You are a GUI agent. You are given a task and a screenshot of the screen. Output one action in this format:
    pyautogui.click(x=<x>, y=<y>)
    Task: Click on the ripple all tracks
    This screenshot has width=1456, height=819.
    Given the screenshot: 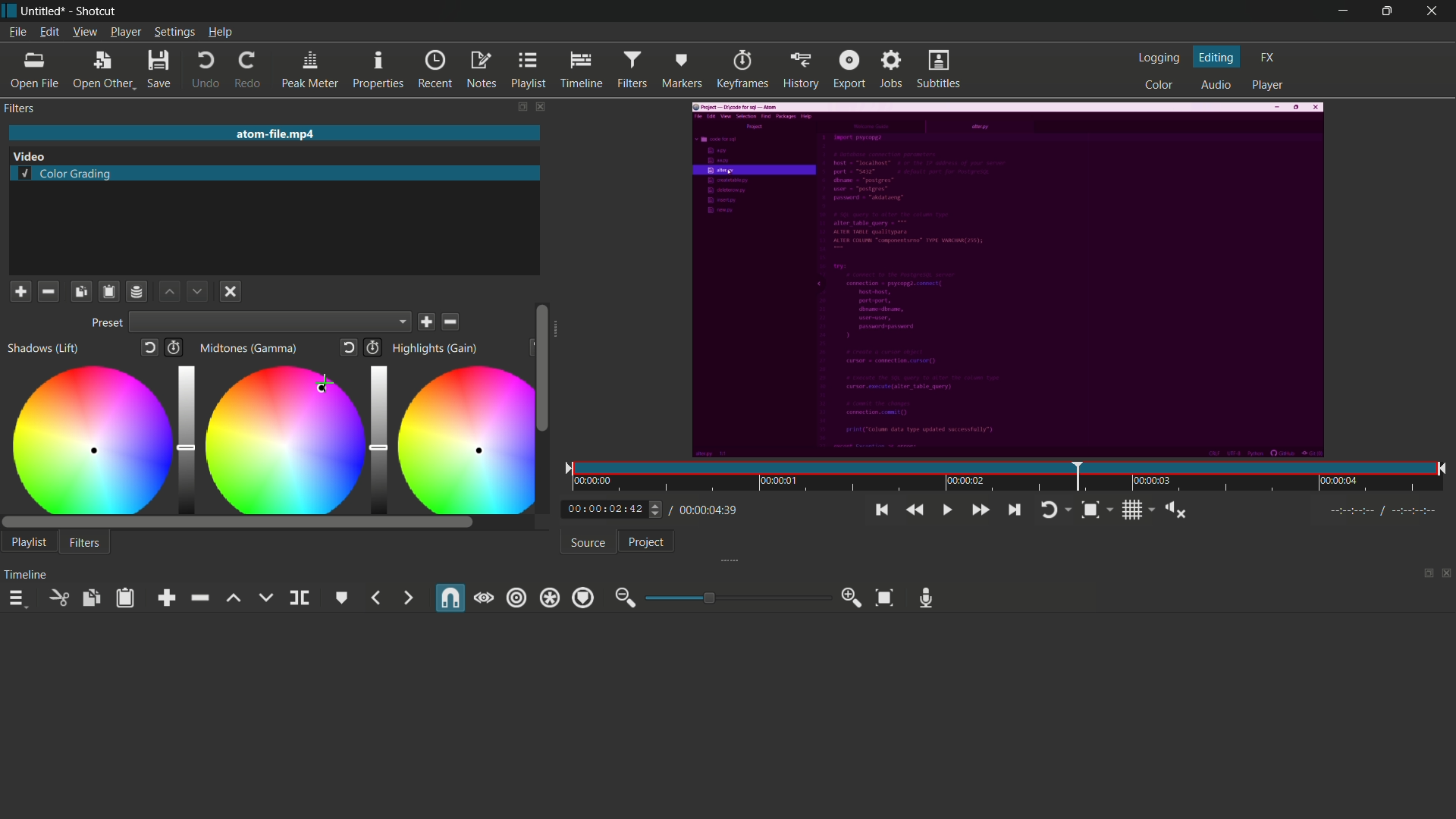 What is the action you would take?
    pyautogui.click(x=549, y=599)
    